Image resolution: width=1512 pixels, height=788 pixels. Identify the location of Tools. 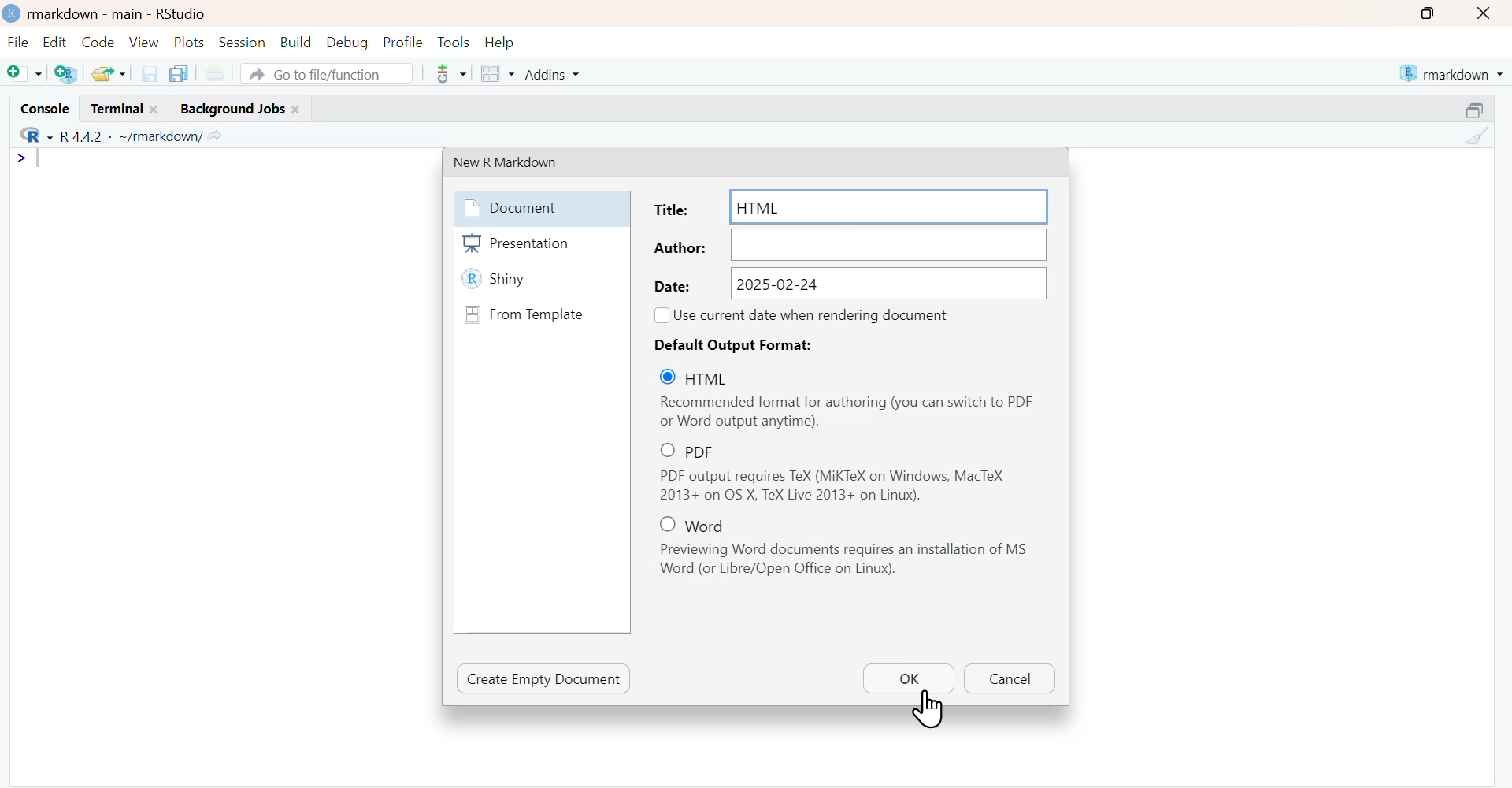
(454, 43).